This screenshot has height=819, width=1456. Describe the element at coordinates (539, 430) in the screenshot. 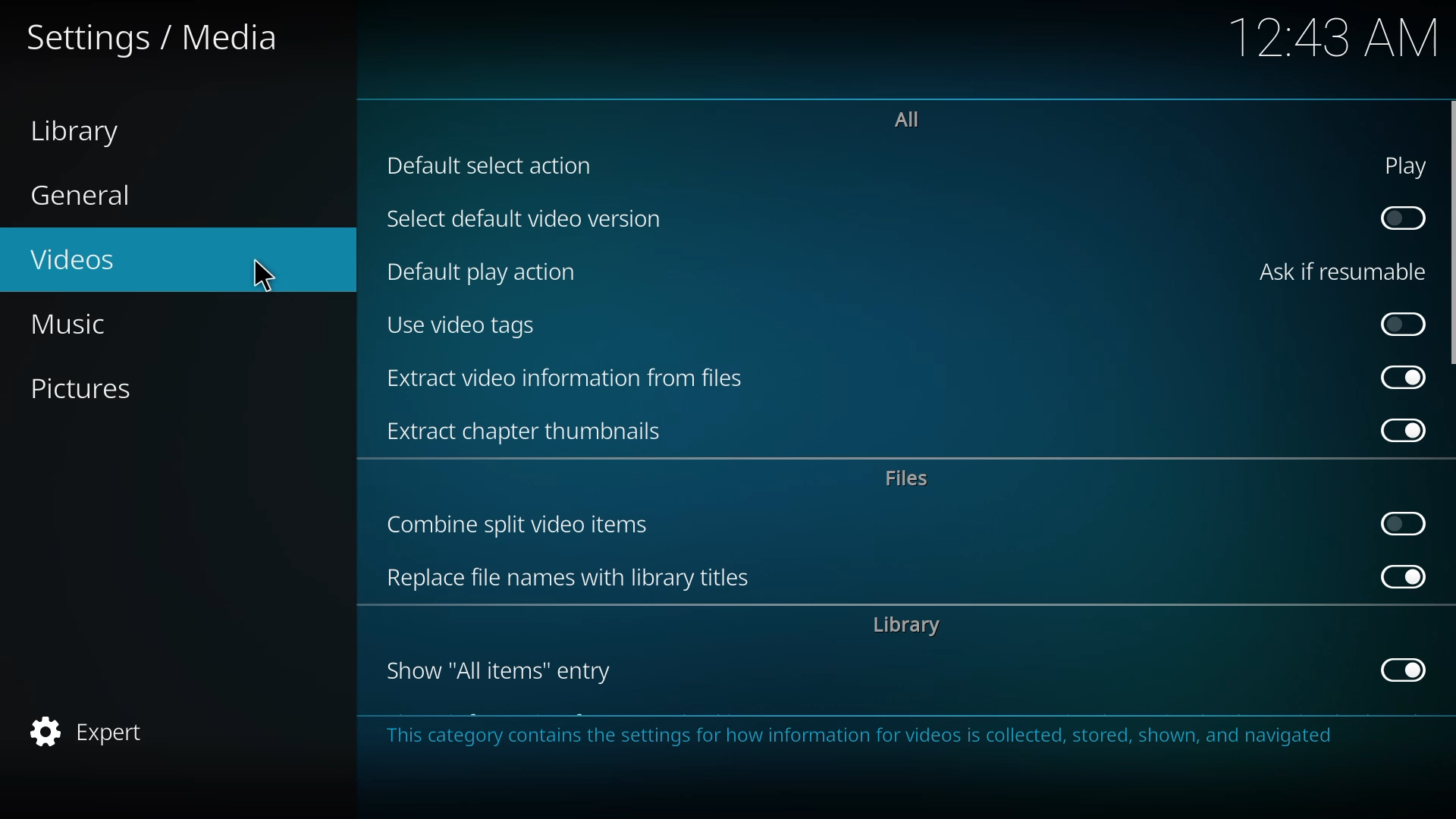

I see `extract chapter thumbnails` at that location.